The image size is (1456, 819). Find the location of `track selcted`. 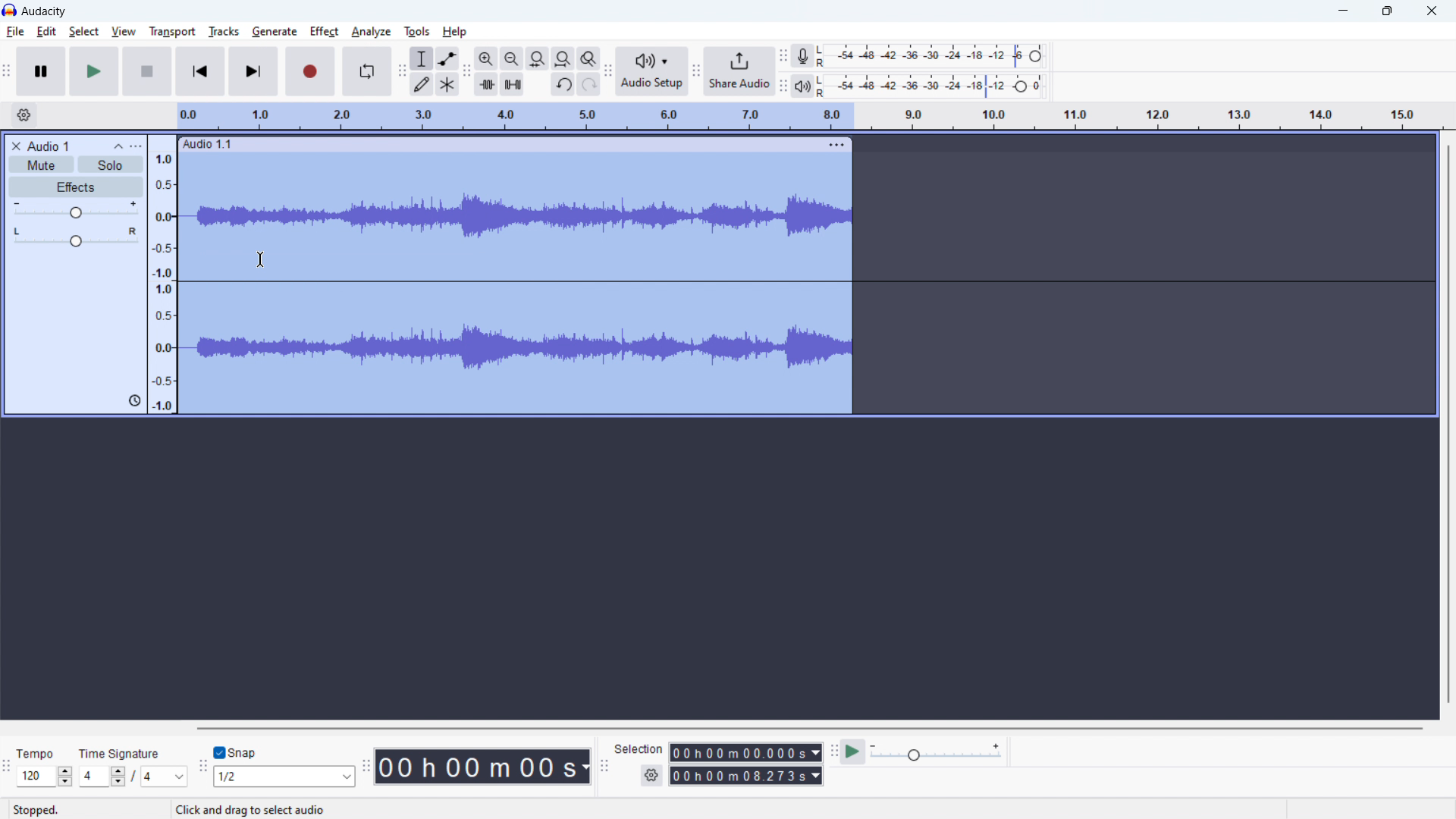

track selcted is located at coordinates (517, 284).